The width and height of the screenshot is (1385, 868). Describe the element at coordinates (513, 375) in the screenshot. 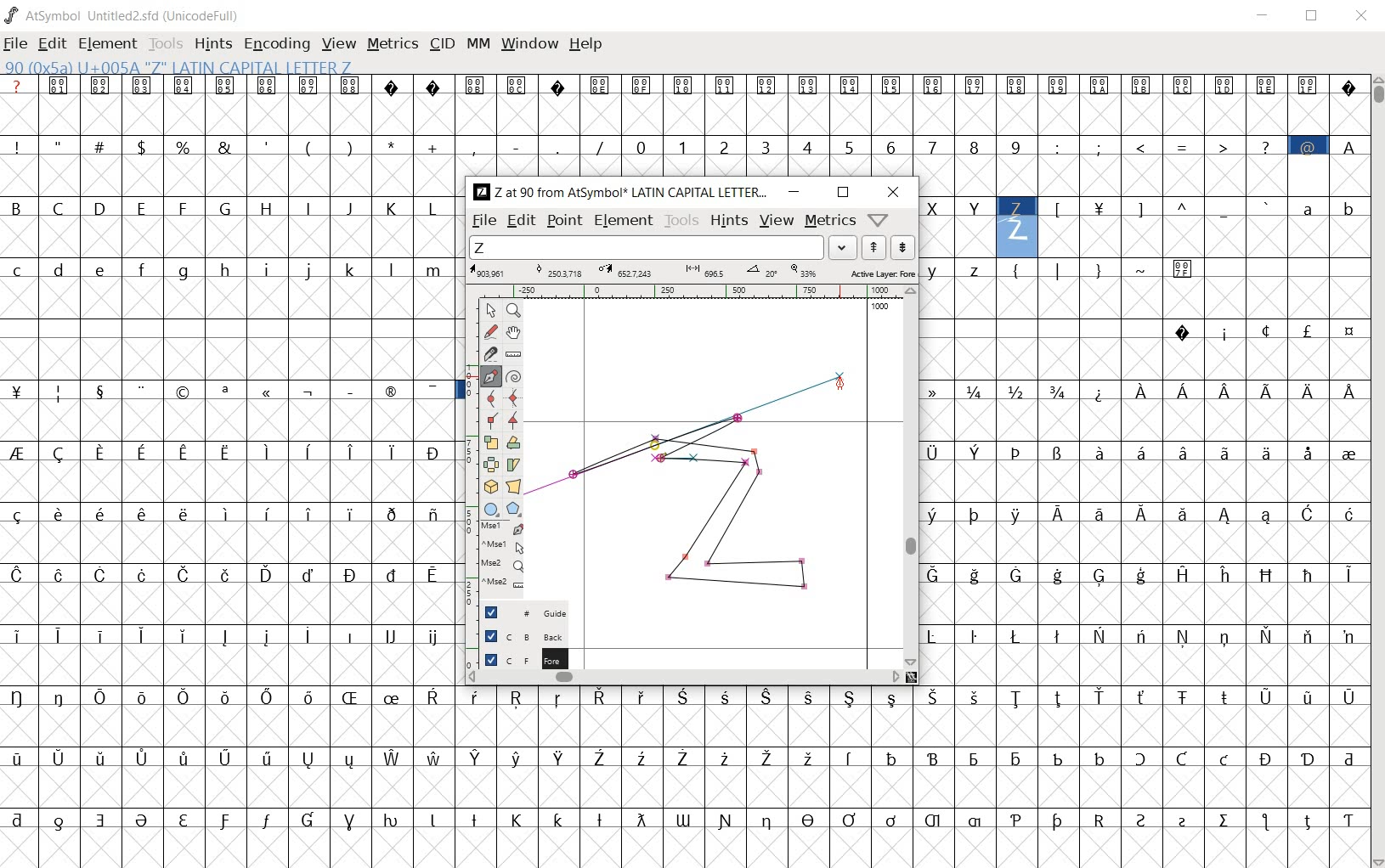

I see `change whether spiro is active or not` at that location.